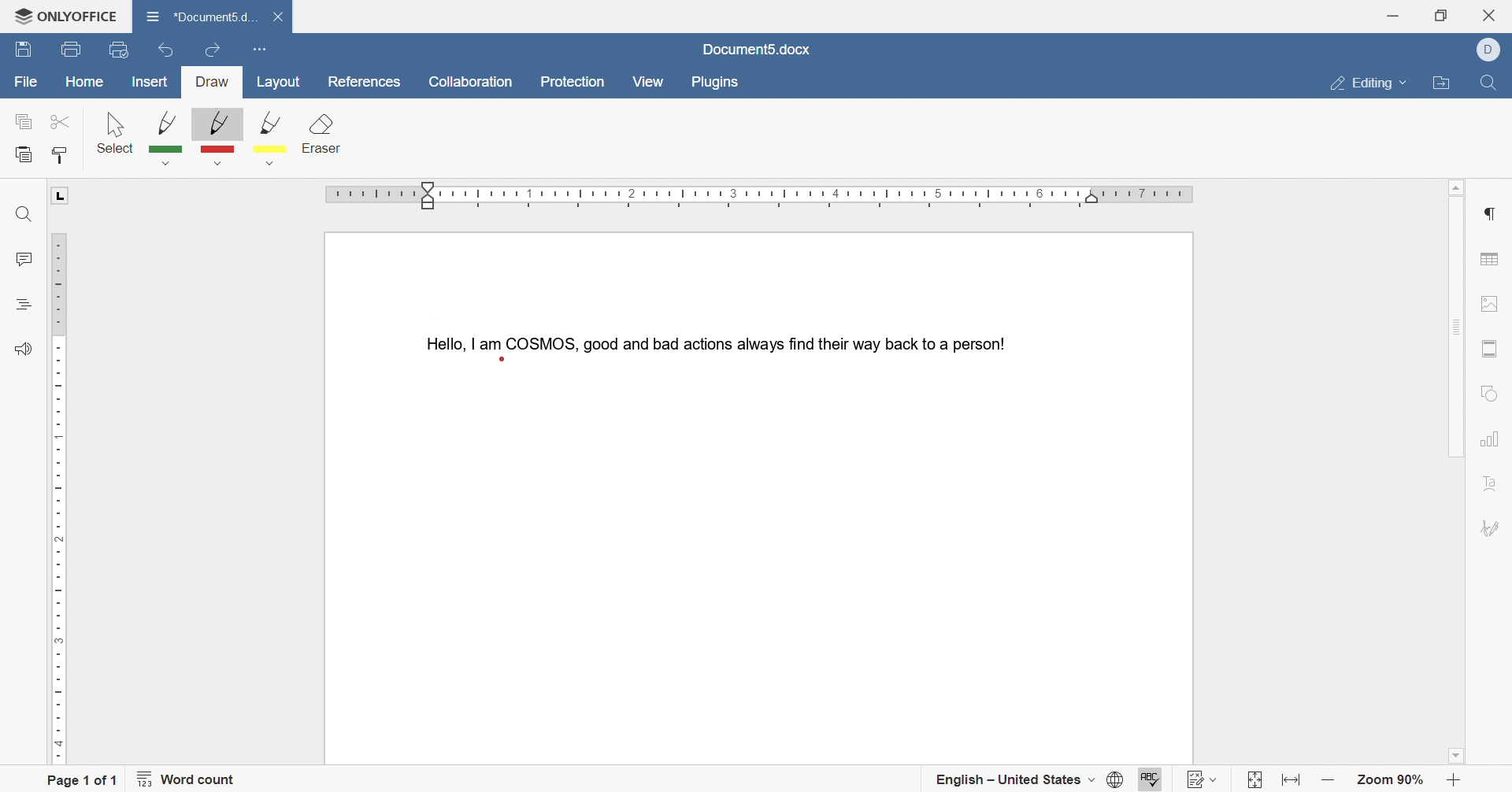 This screenshot has height=792, width=1512. Describe the element at coordinates (1493, 530) in the screenshot. I see `signature settings` at that location.